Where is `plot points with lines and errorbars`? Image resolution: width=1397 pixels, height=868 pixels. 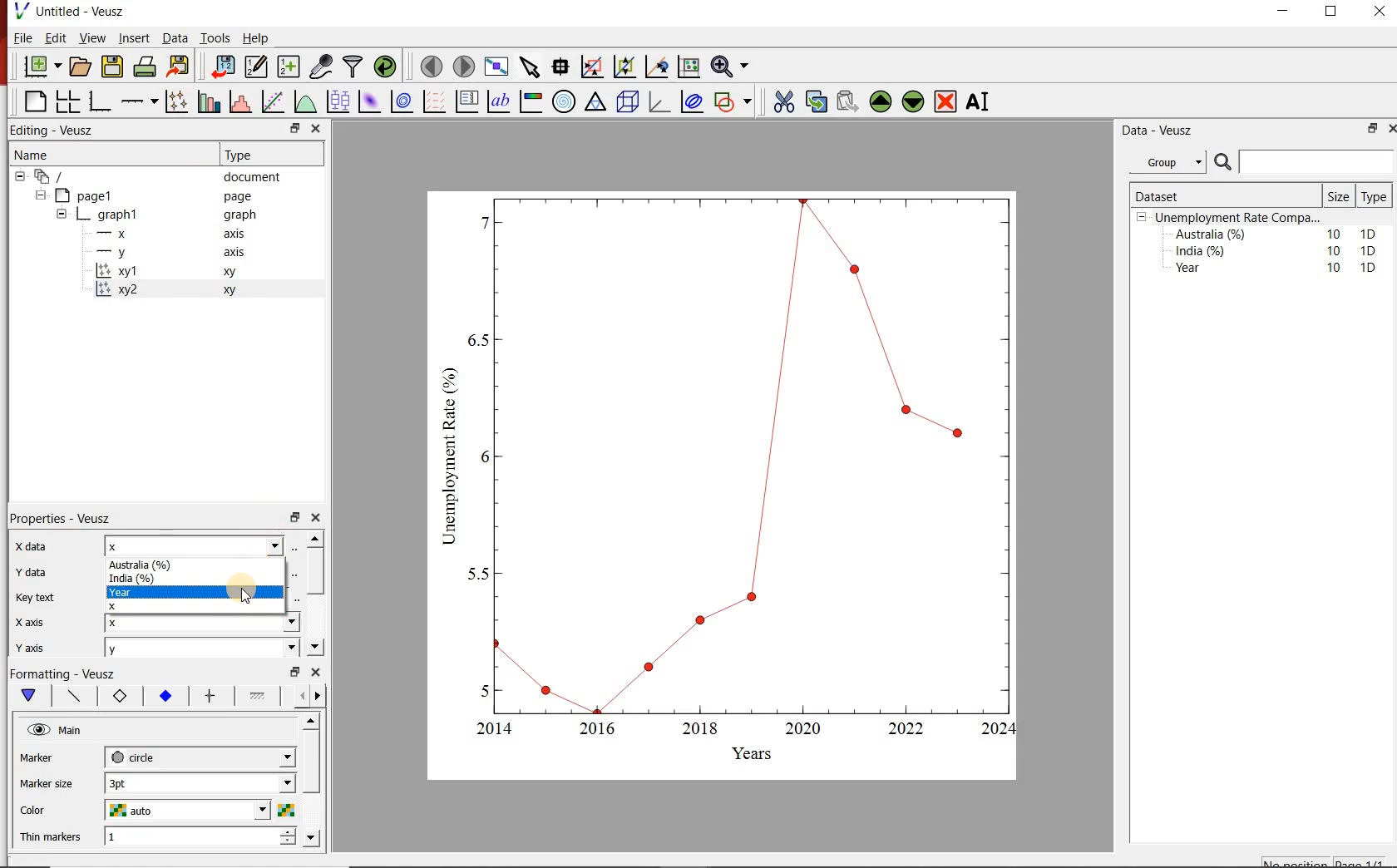 plot points with lines and errorbars is located at coordinates (176, 101).